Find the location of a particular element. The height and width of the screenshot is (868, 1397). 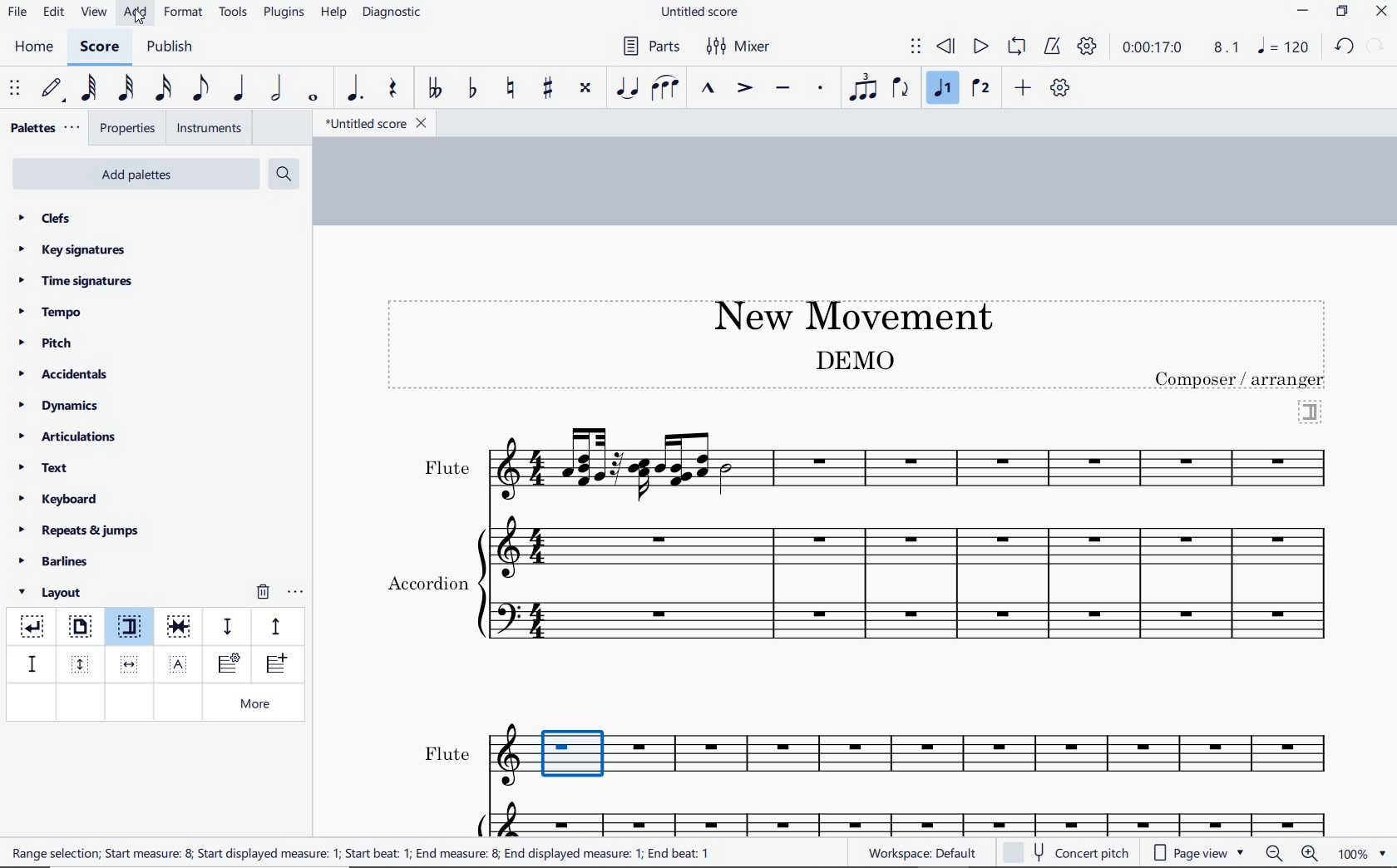

articulations is located at coordinates (69, 439).